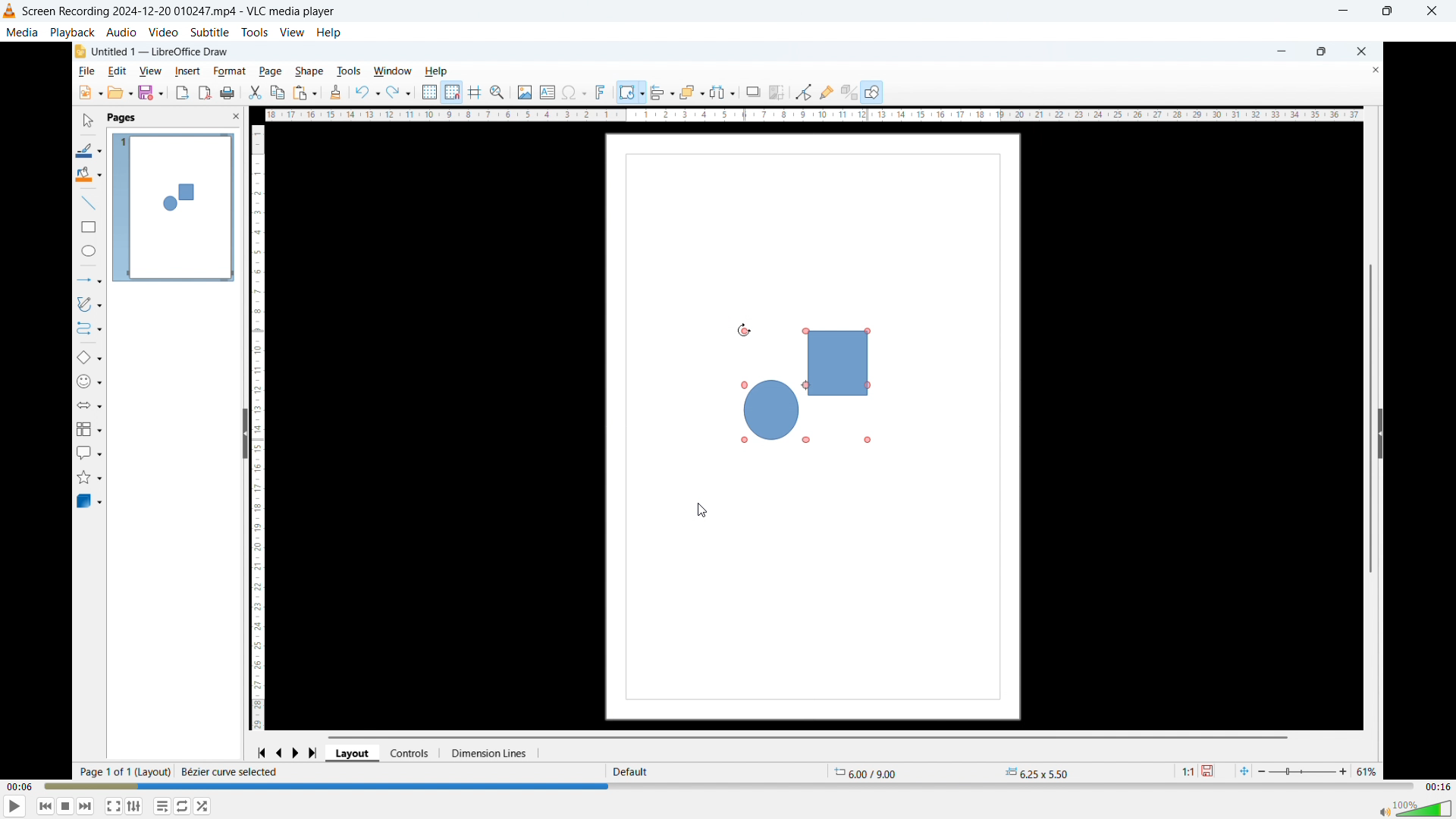 The width and height of the screenshot is (1456, 819). Describe the element at coordinates (330, 33) in the screenshot. I see `help ` at that location.